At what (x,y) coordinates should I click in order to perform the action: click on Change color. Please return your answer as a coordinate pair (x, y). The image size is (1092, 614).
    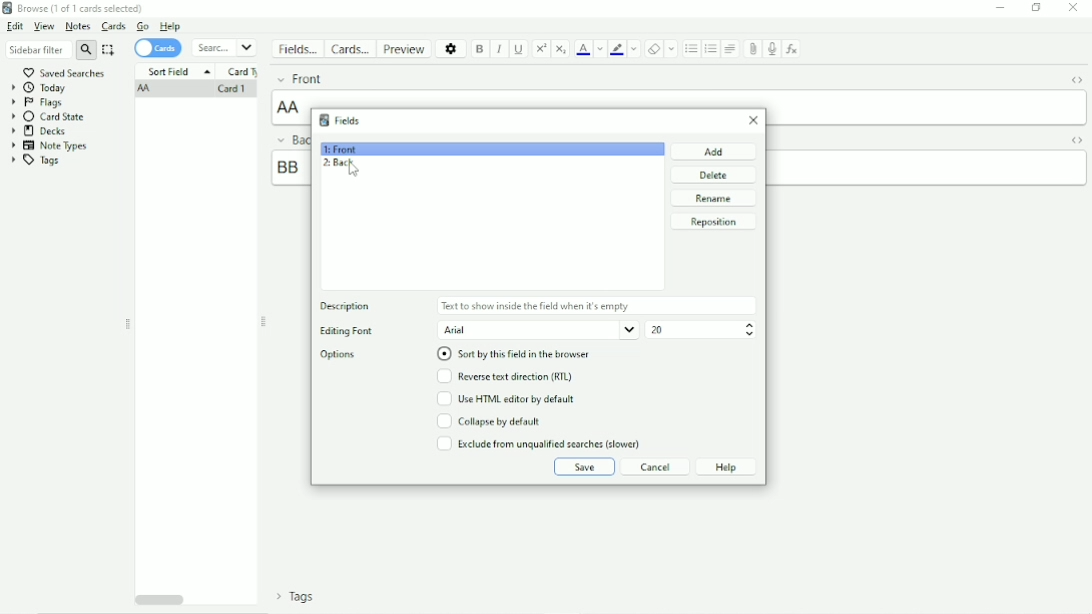
    Looking at the image, I should click on (634, 48).